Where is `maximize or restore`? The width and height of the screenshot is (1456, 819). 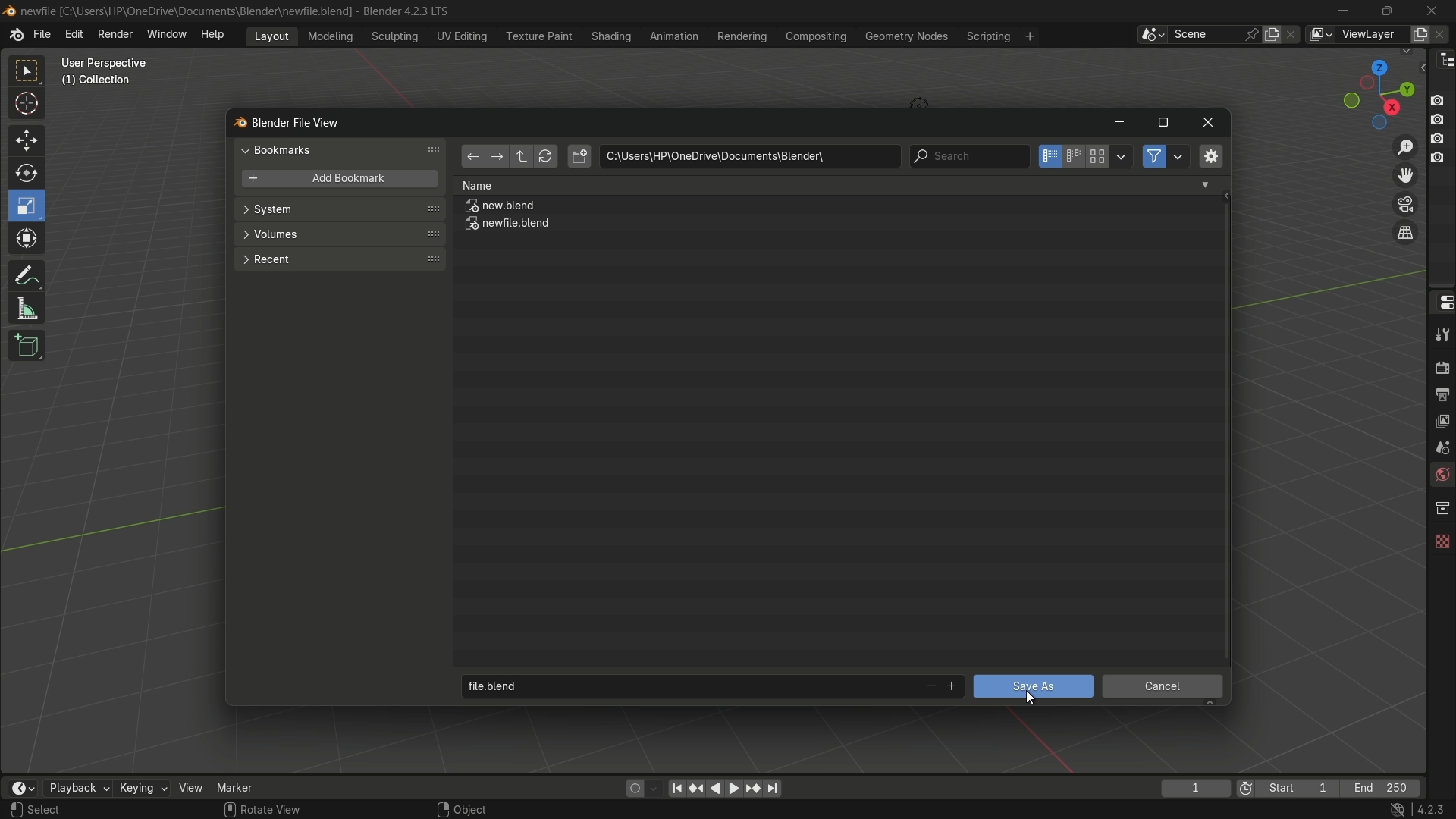 maximize or restore is located at coordinates (1163, 123).